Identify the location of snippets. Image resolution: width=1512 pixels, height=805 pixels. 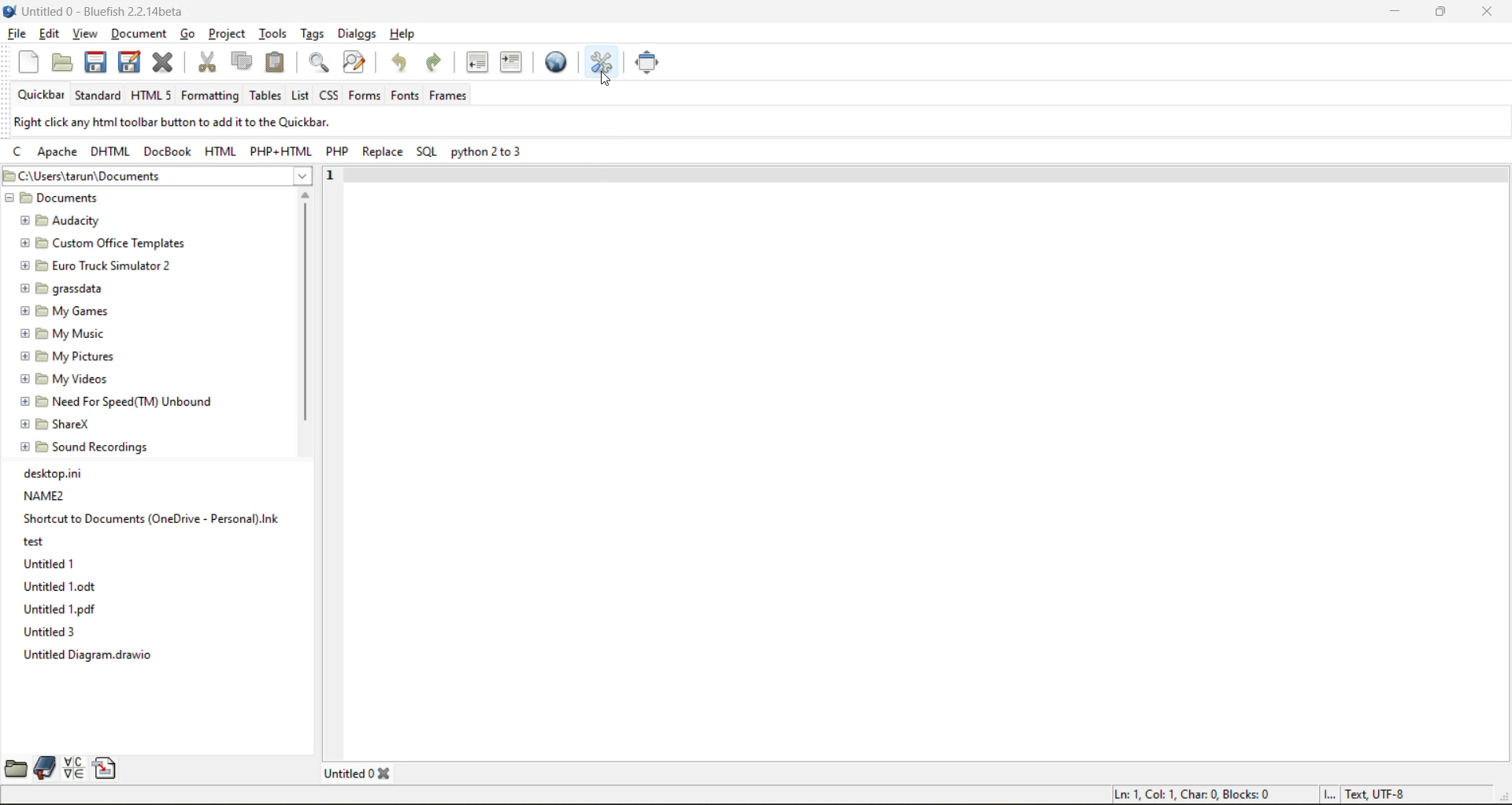
(105, 767).